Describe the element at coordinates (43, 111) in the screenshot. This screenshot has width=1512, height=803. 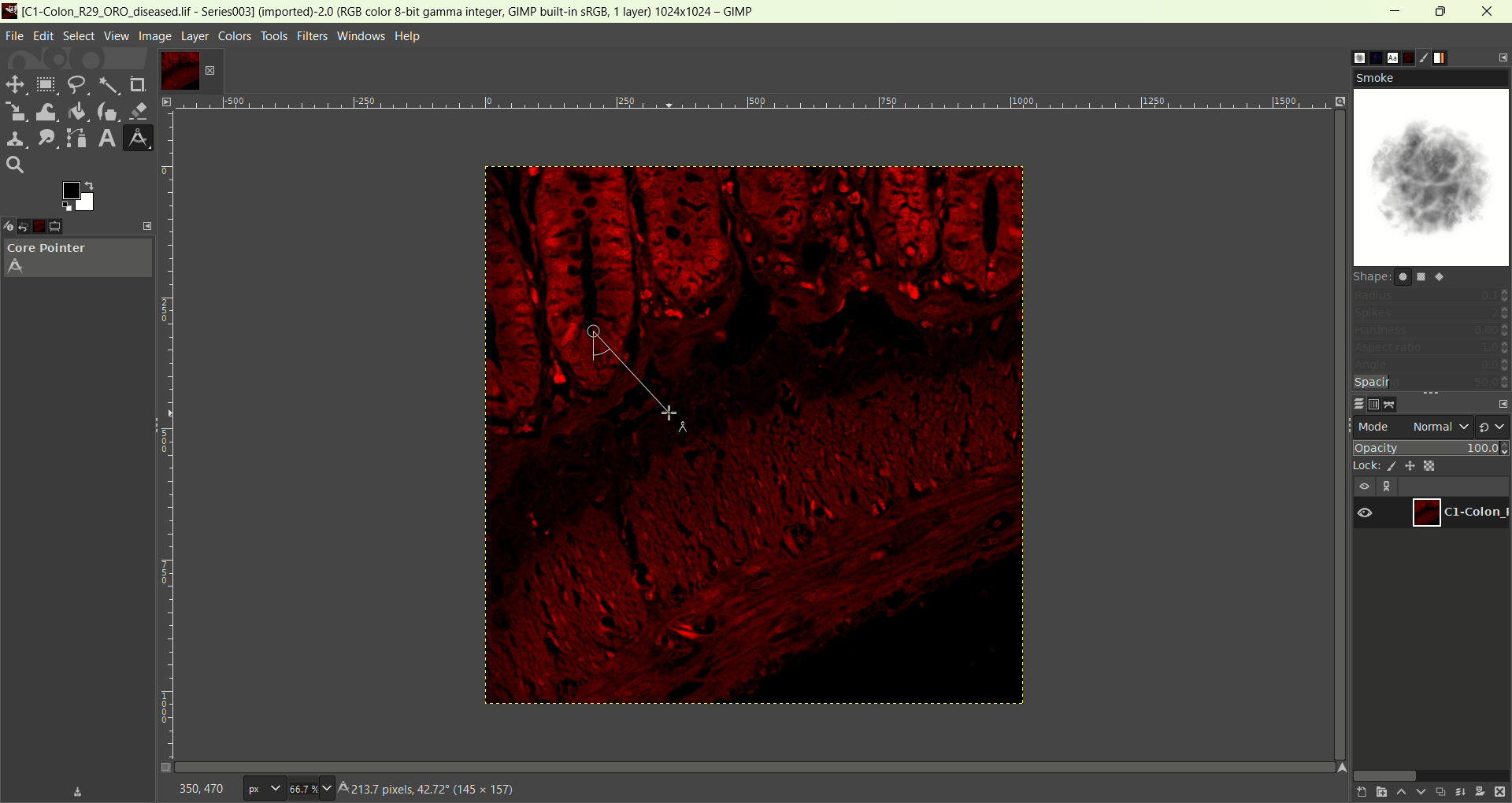
I see `wrap transform` at that location.